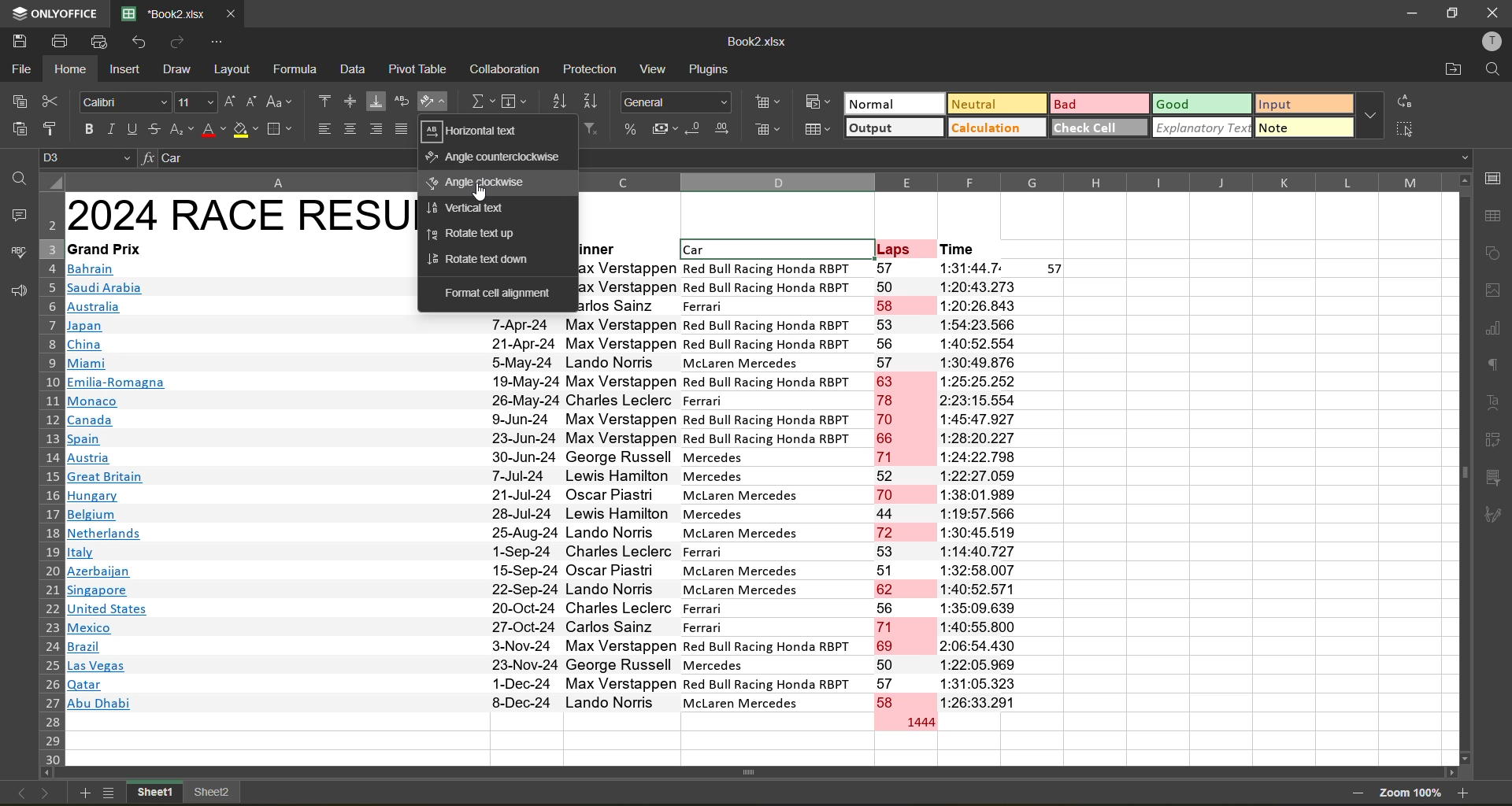 The width and height of the screenshot is (1512, 806). What do you see at coordinates (591, 99) in the screenshot?
I see `sort descending` at bounding box center [591, 99].